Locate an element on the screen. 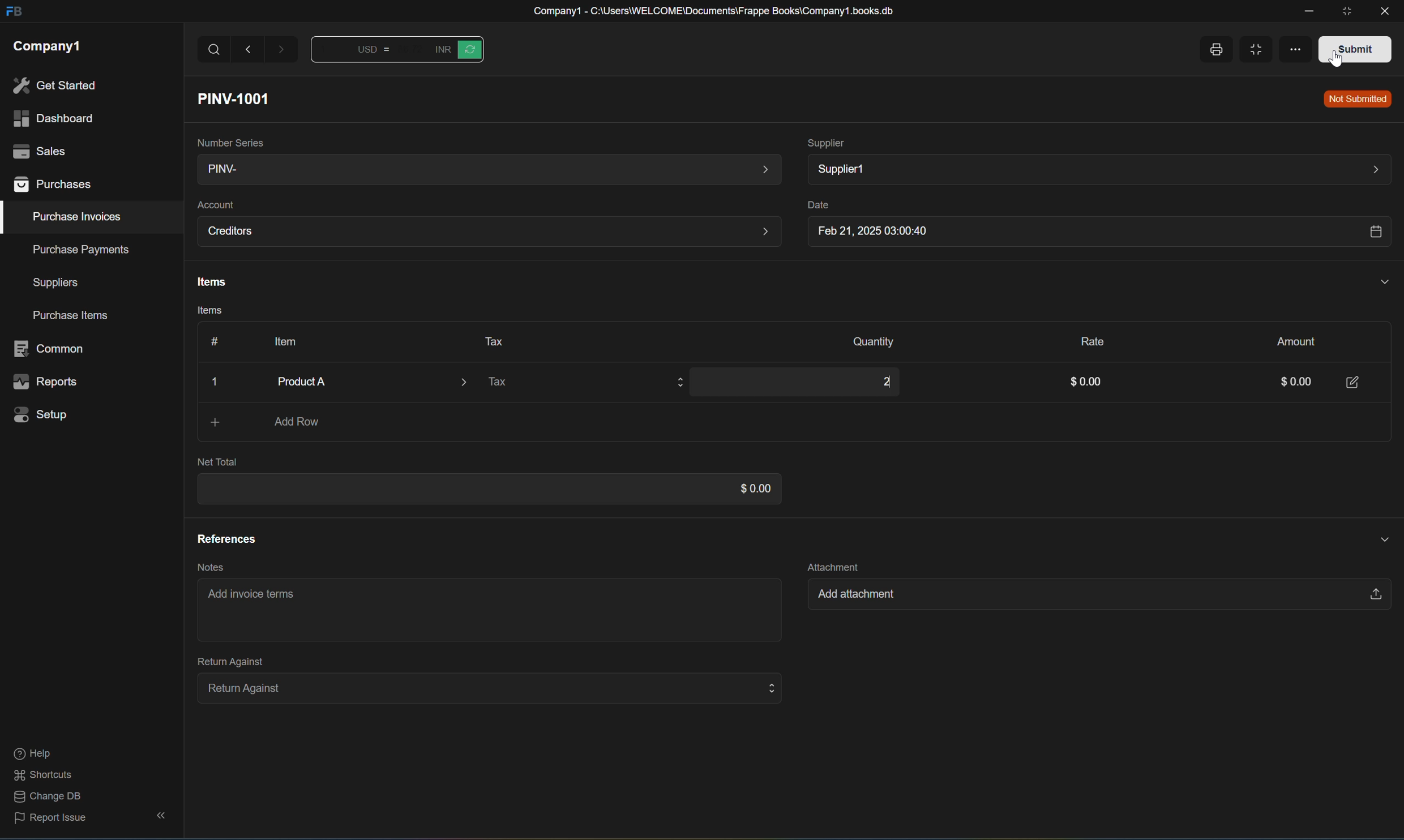 The image size is (1404, 840). purchase payments is located at coordinates (72, 249).